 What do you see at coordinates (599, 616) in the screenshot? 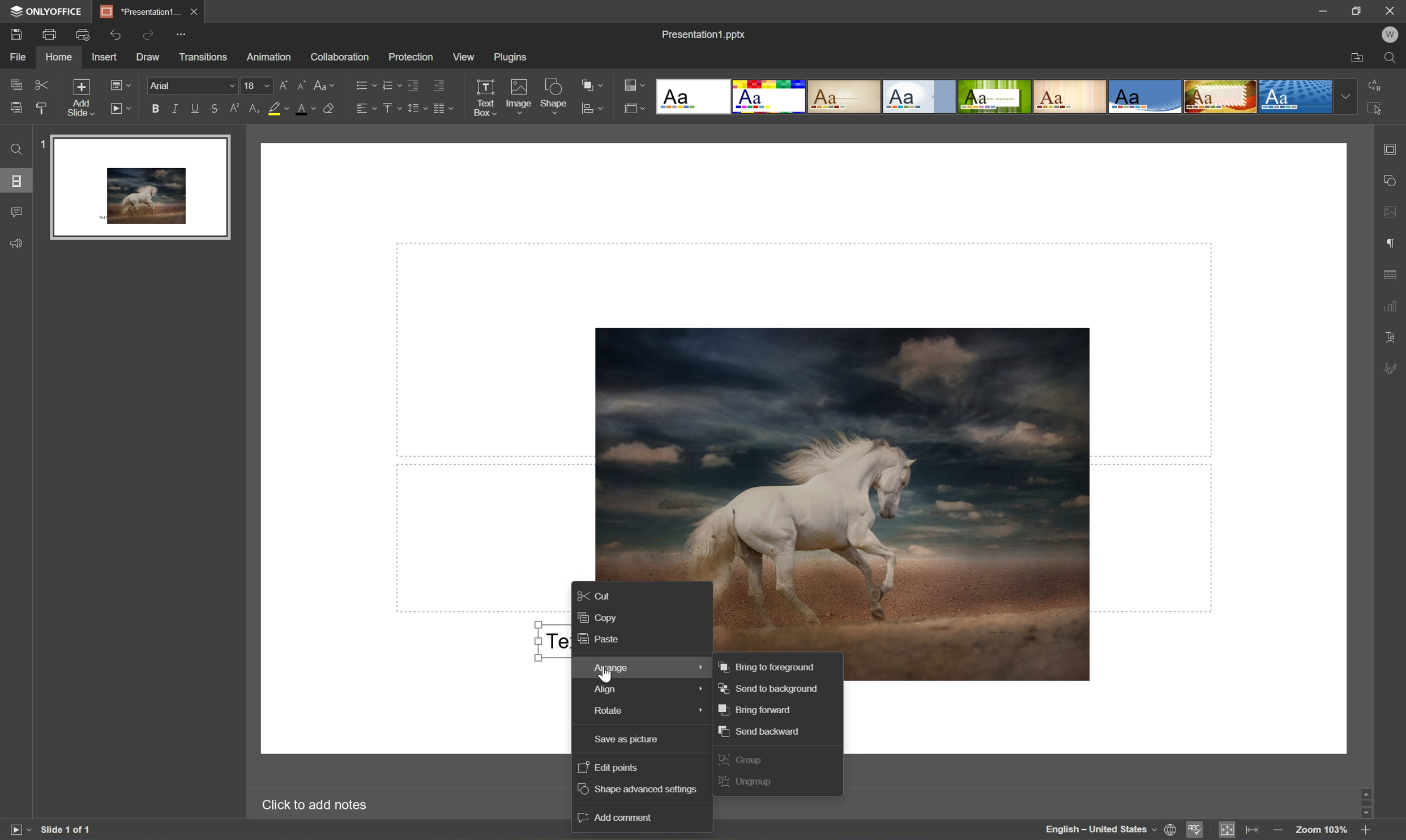
I see `Copy` at bounding box center [599, 616].